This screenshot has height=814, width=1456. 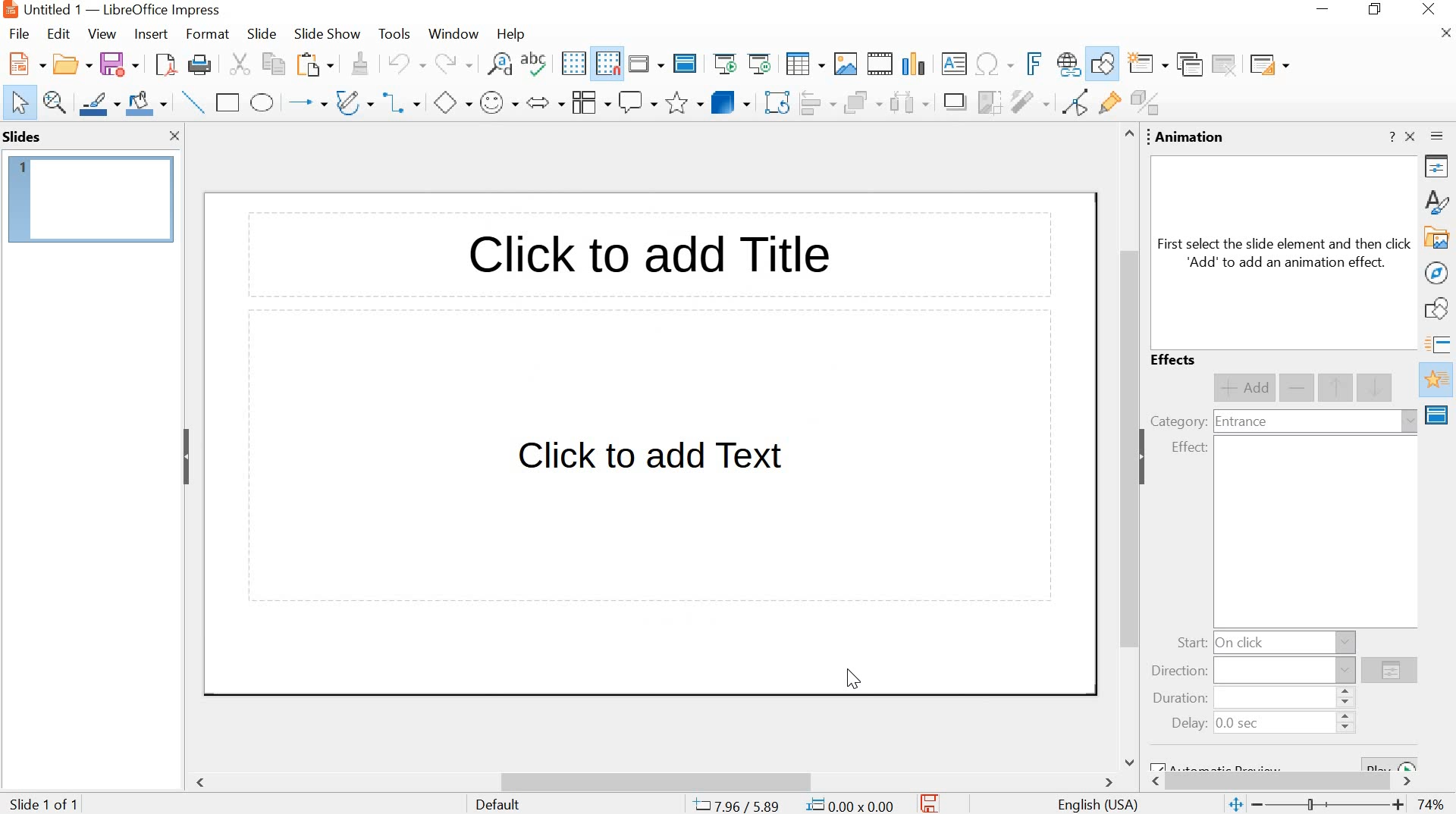 What do you see at coordinates (306, 103) in the screenshot?
I see `lines and arrows` at bounding box center [306, 103].